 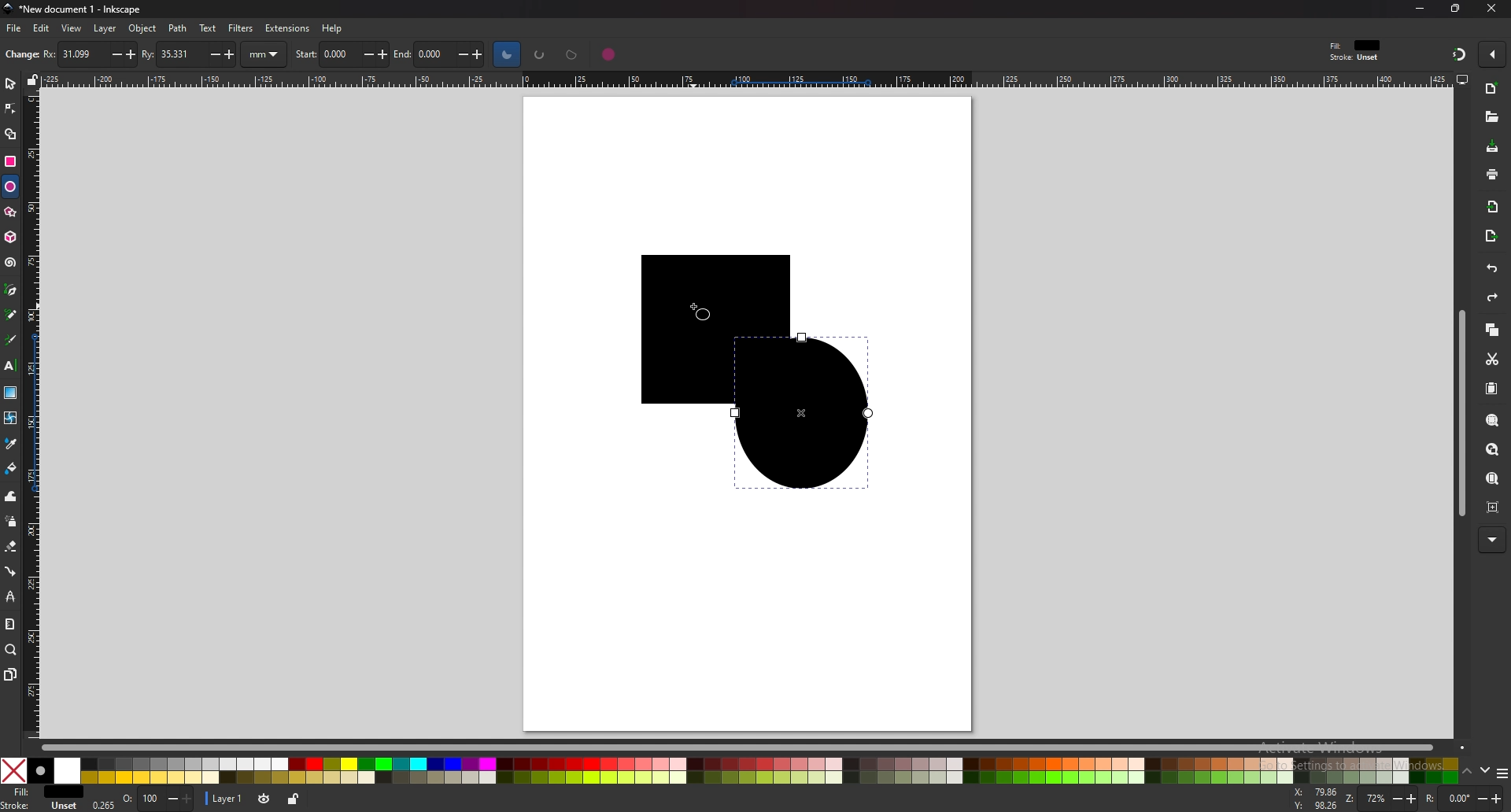 I want to click on save, so click(x=1492, y=146).